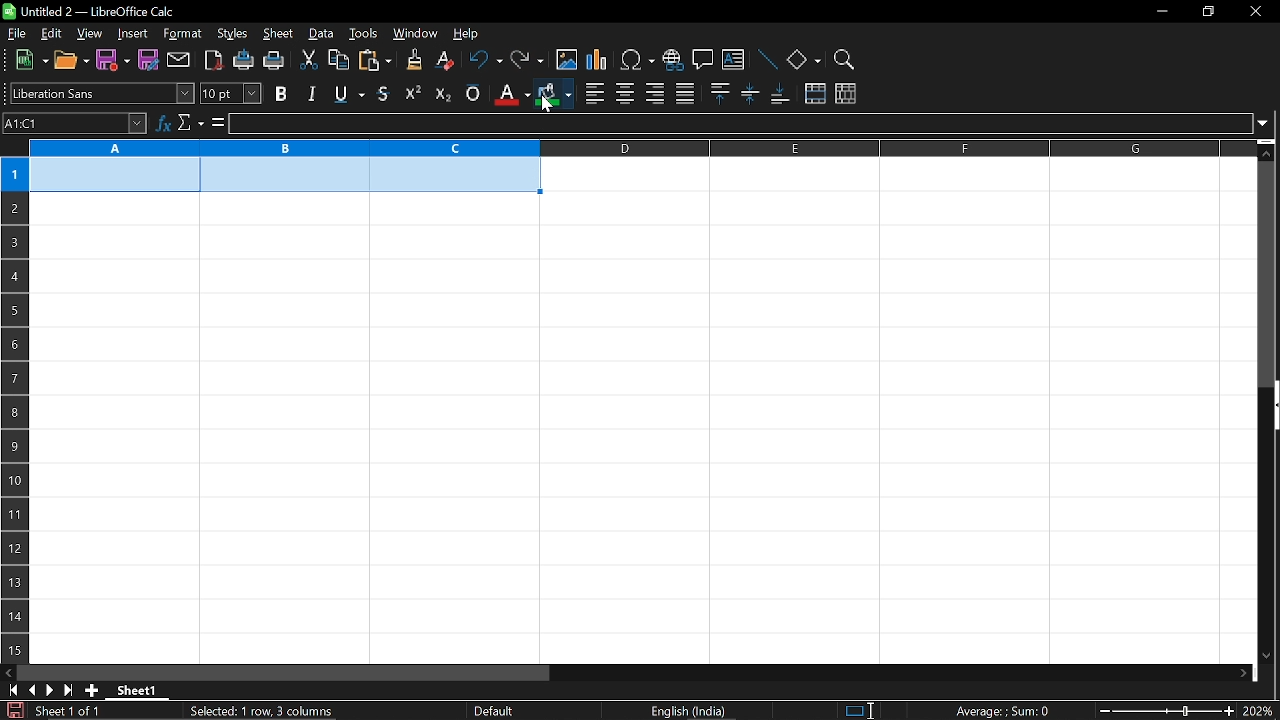 The width and height of the screenshot is (1280, 720). Describe the element at coordinates (17, 33) in the screenshot. I see `file` at that location.